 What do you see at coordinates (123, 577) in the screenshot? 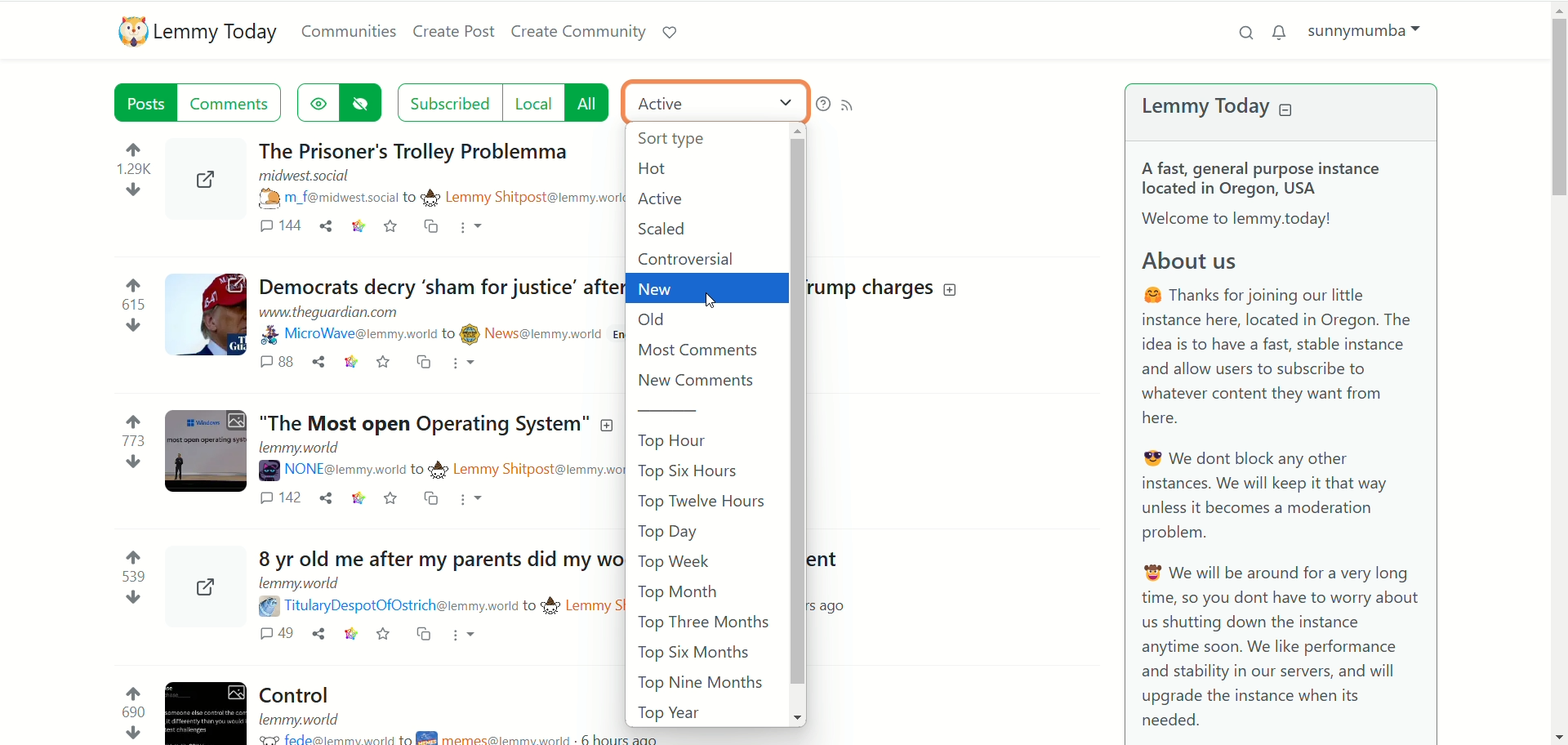
I see `votes` at bounding box center [123, 577].